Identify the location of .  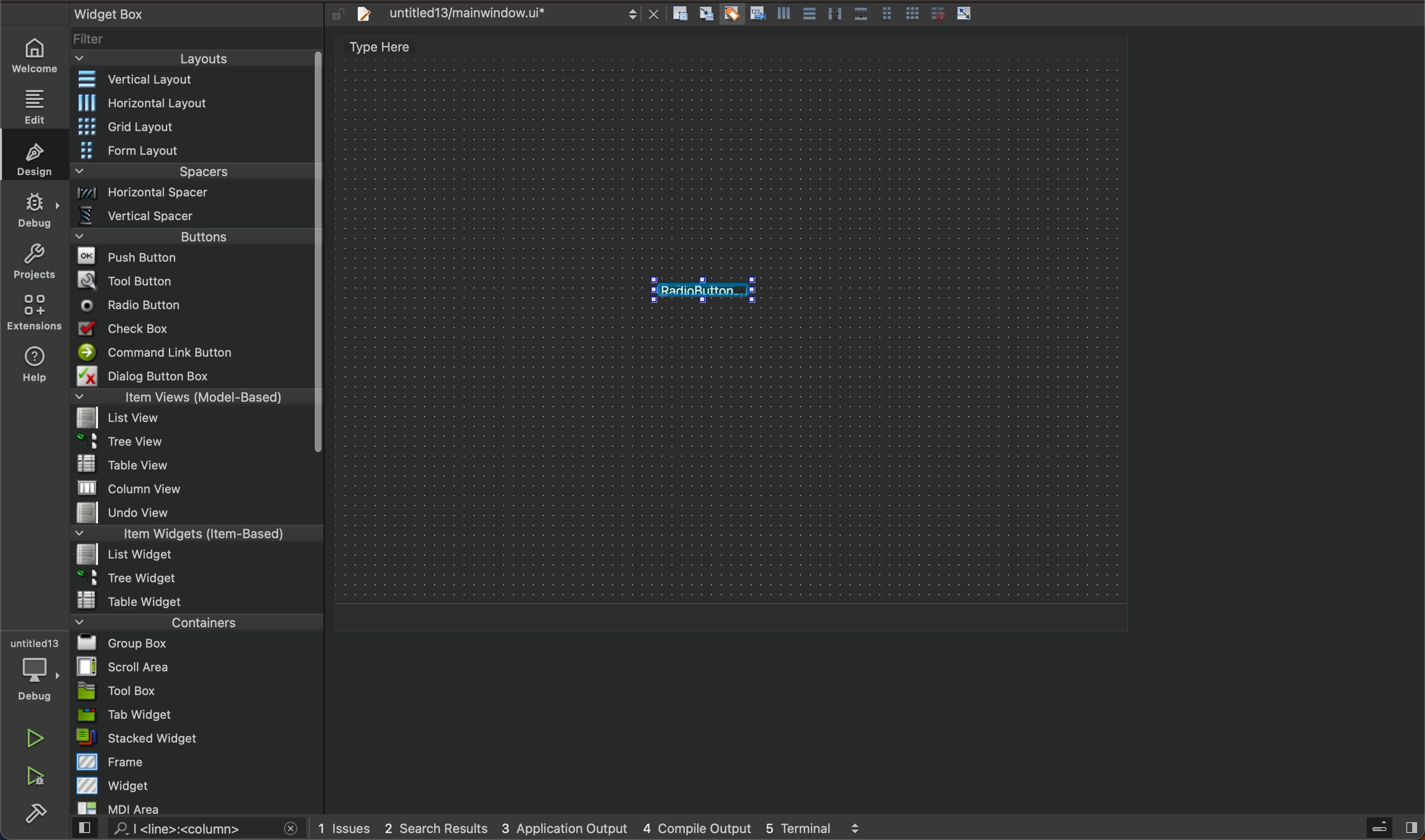
(935, 14).